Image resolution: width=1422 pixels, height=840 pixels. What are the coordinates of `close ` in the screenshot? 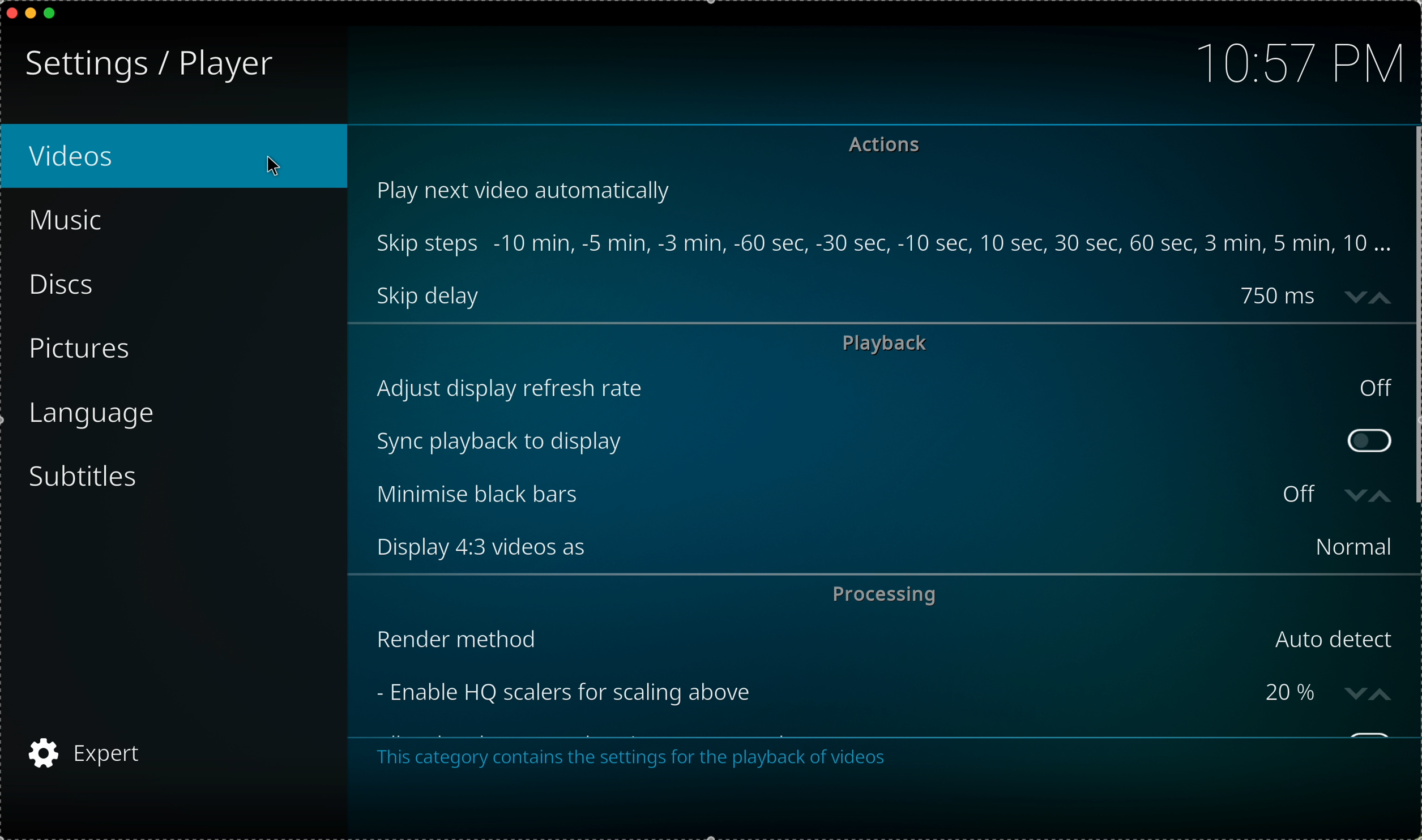 It's located at (9, 12).